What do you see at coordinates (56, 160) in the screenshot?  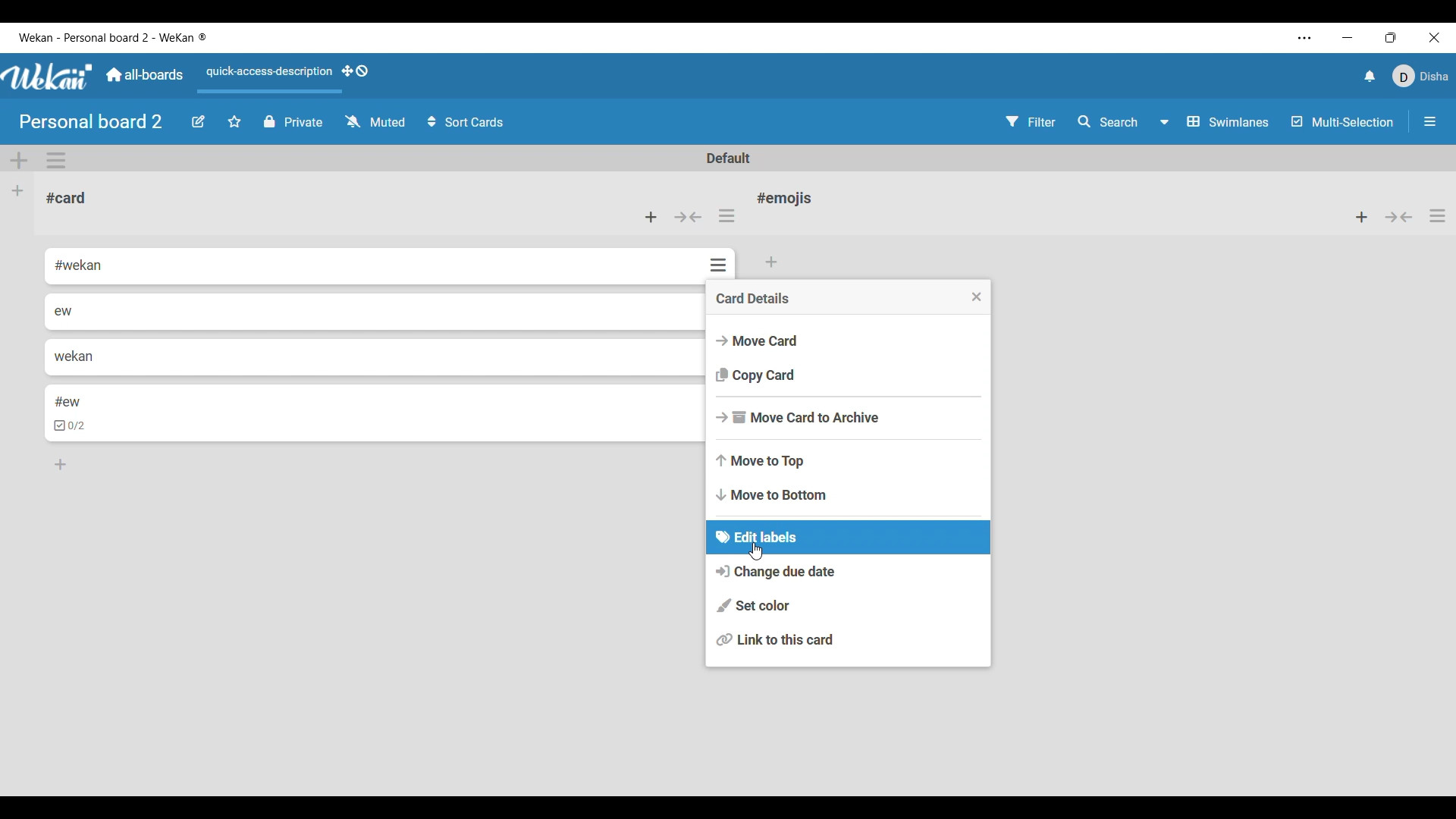 I see `Swimlane actions` at bounding box center [56, 160].